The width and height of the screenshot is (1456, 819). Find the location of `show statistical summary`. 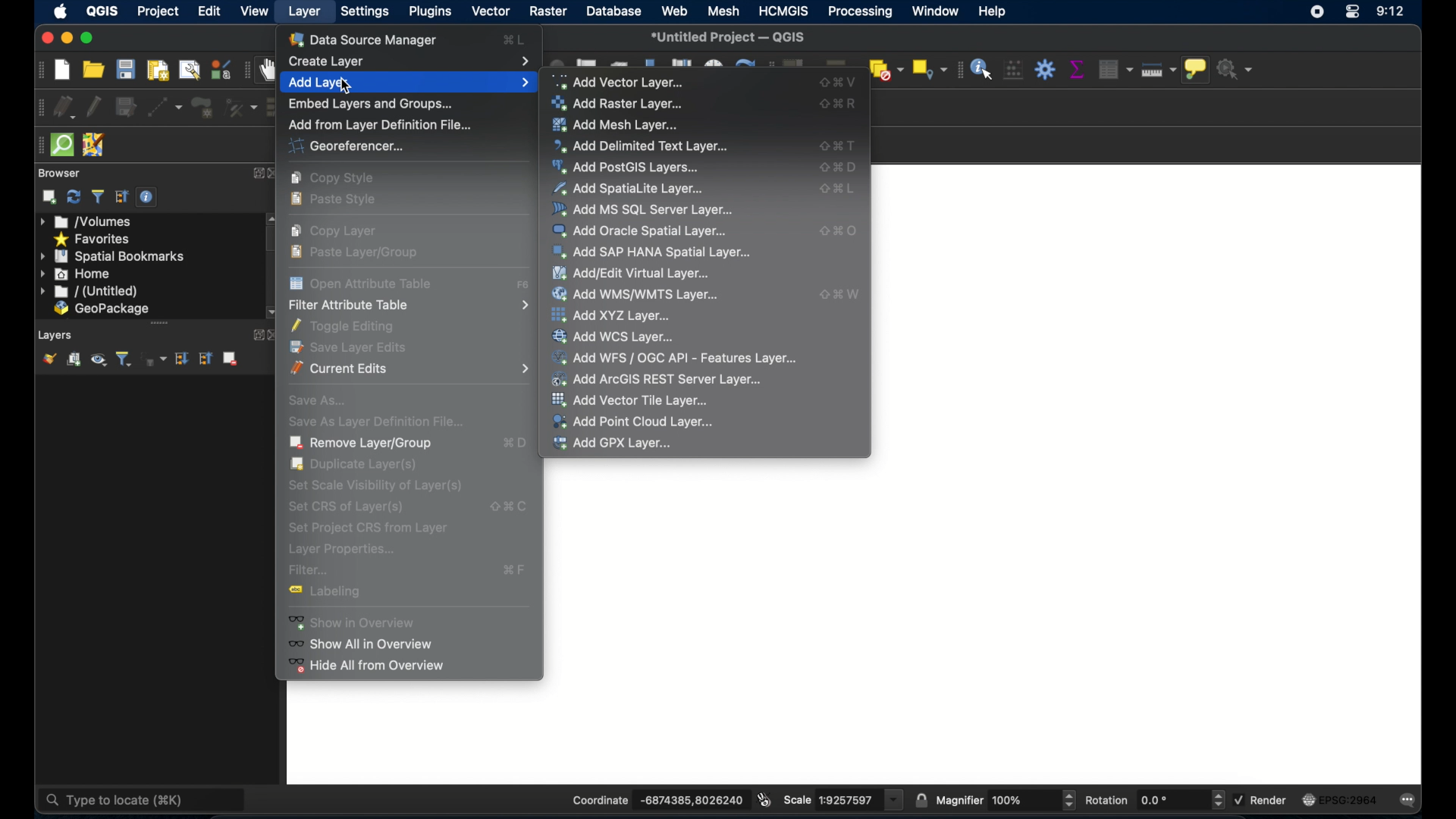

show statistical summary is located at coordinates (1076, 67).